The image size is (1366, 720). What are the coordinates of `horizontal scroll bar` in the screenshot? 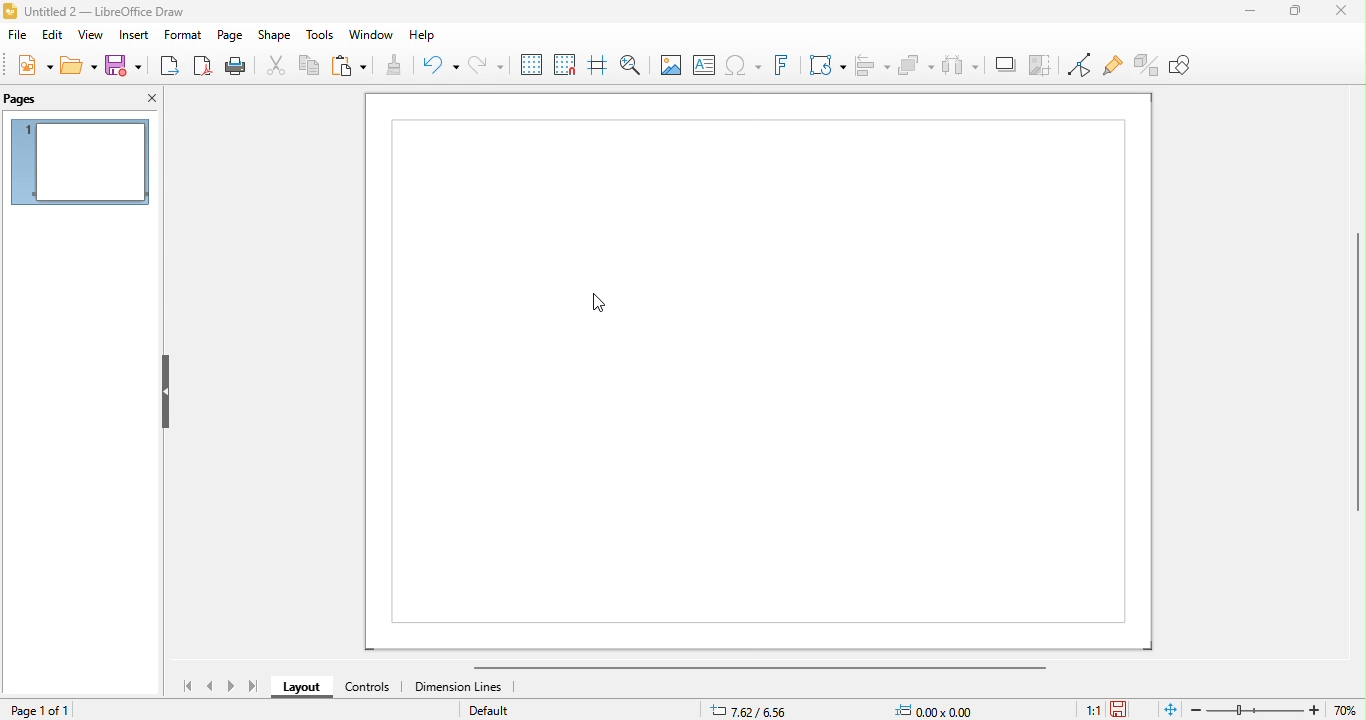 It's located at (771, 667).